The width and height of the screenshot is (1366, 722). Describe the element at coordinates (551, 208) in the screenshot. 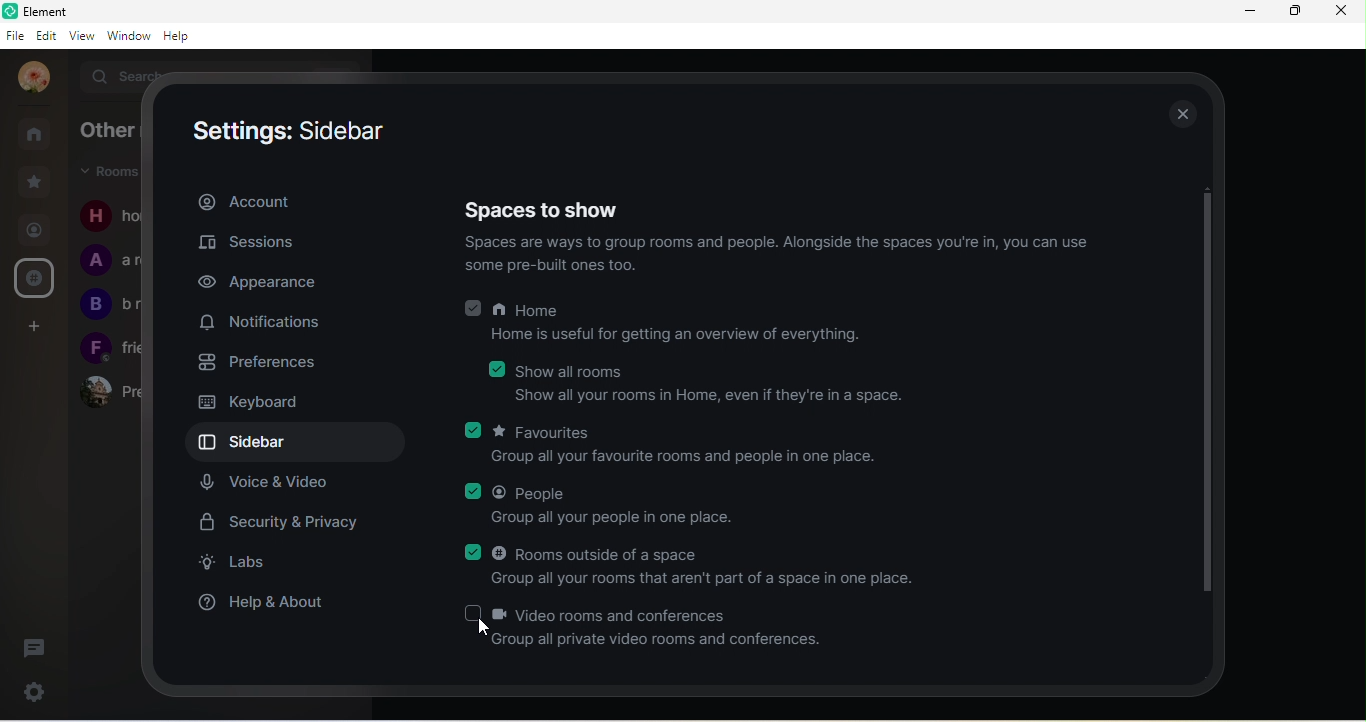

I see `spaces to show` at that location.